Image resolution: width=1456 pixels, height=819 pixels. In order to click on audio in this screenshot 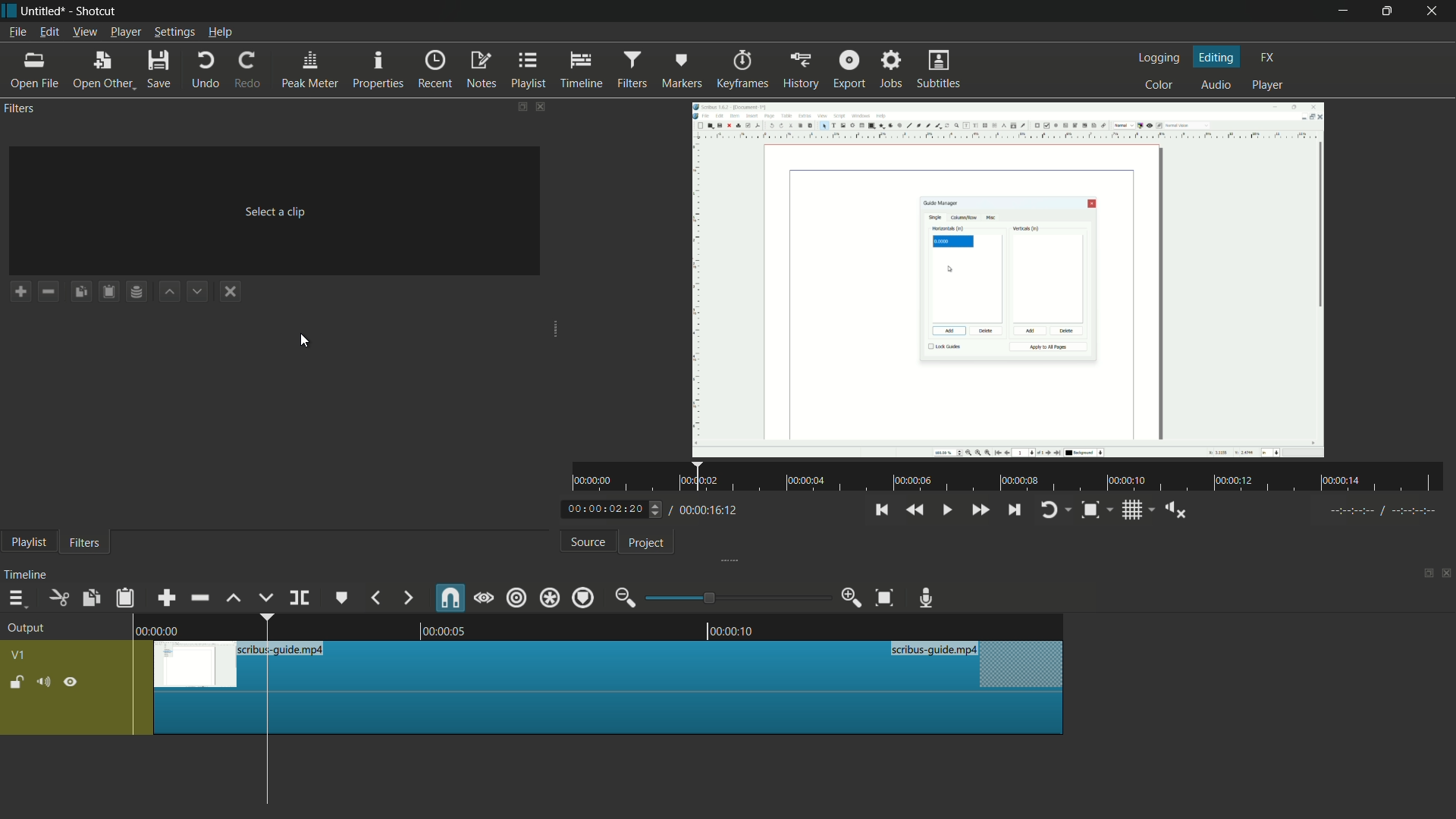, I will do `click(1216, 86)`.